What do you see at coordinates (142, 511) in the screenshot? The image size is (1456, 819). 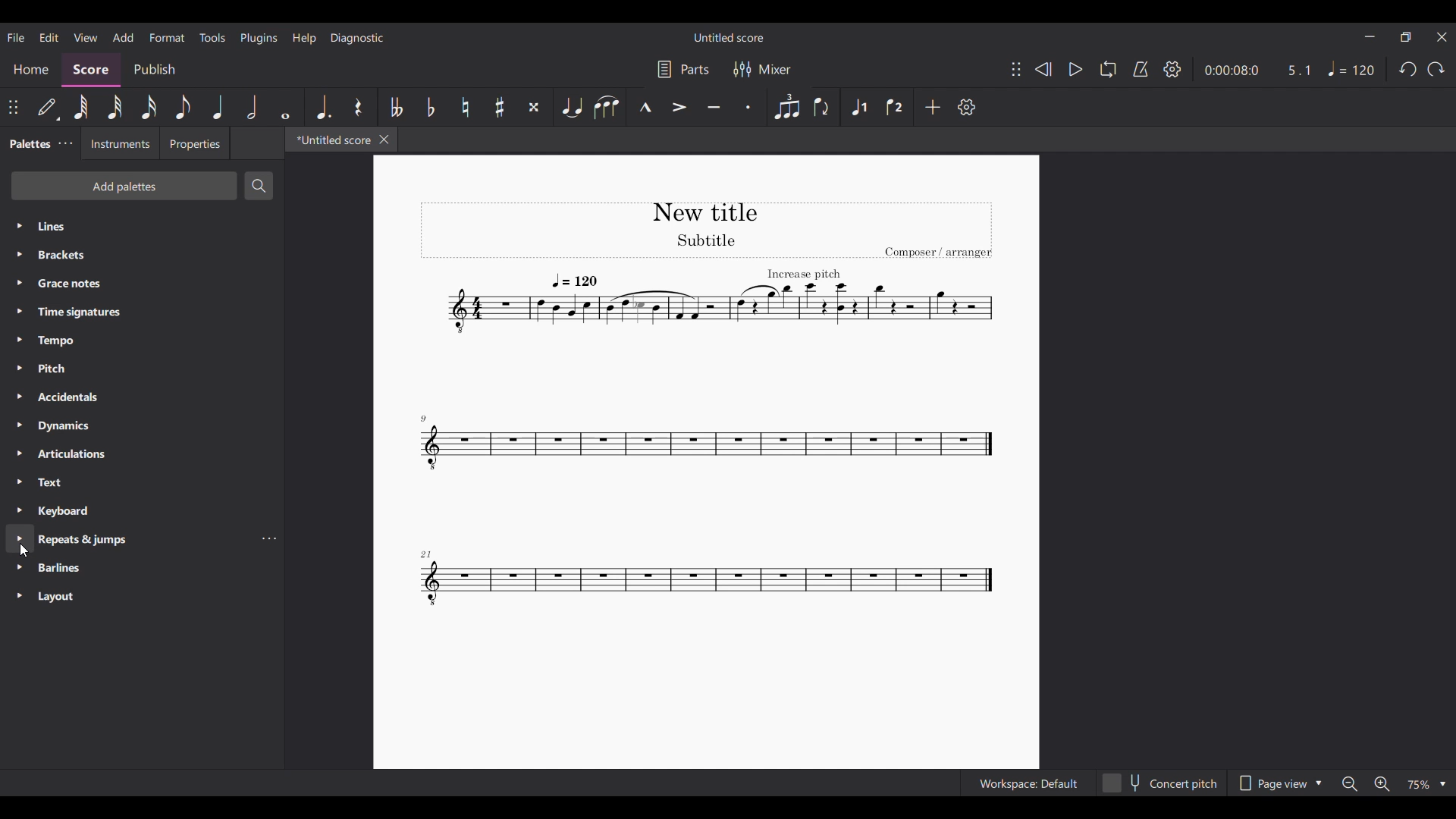 I see `Keyboard` at bounding box center [142, 511].